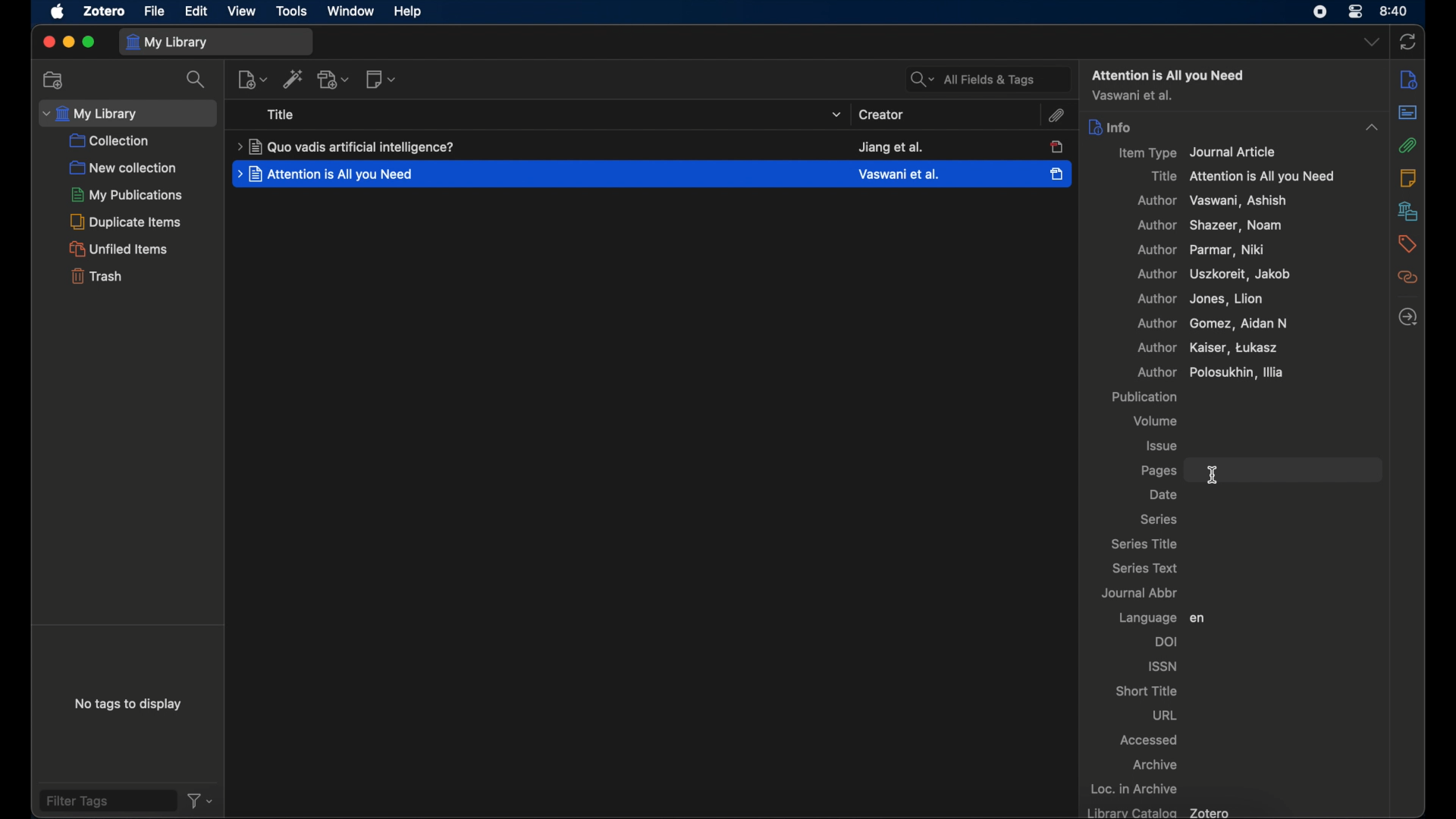 The width and height of the screenshot is (1456, 819). Describe the element at coordinates (1164, 495) in the screenshot. I see `date` at that location.